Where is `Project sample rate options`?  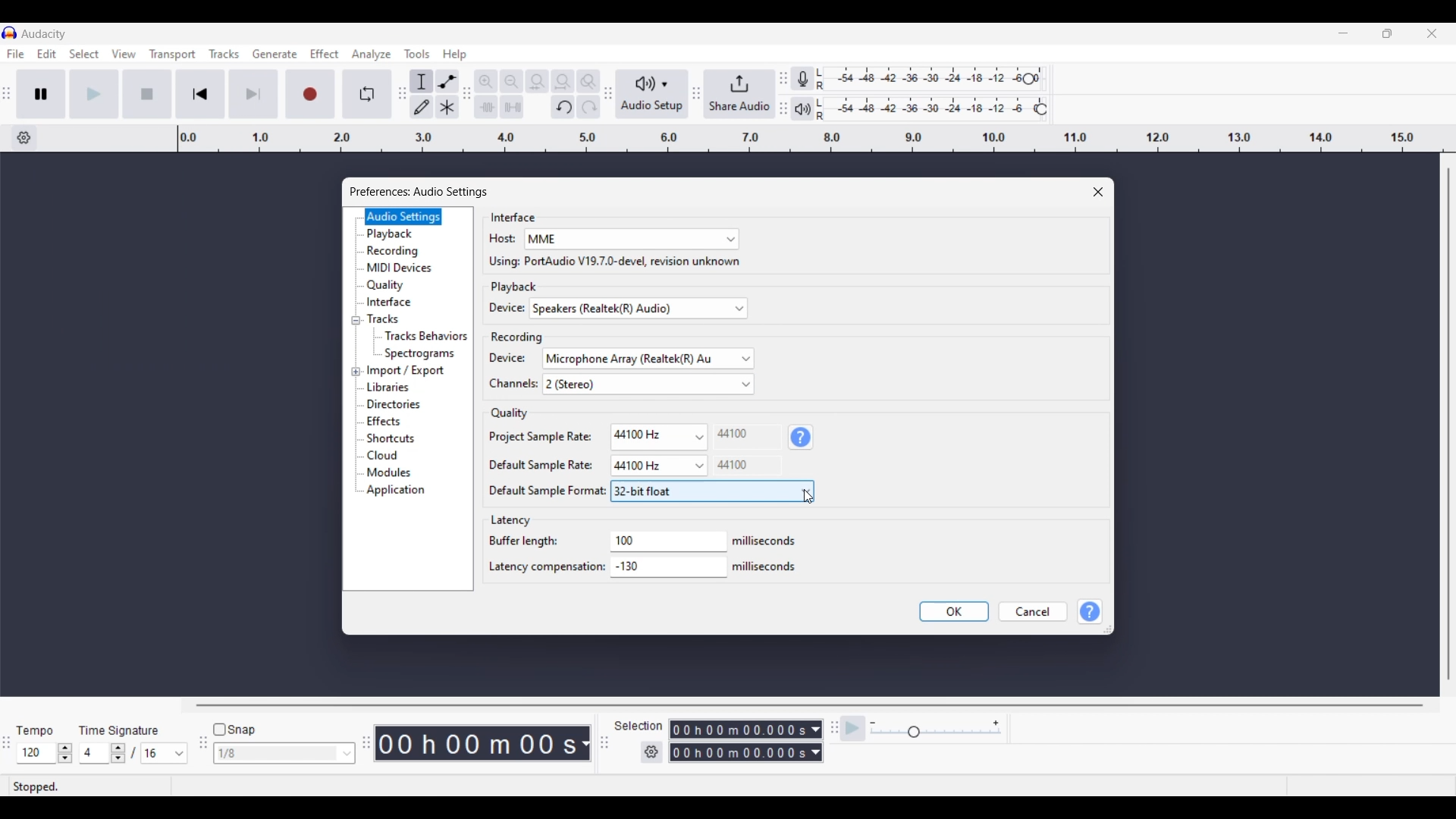 Project sample rate options is located at coordinates (657, 435).